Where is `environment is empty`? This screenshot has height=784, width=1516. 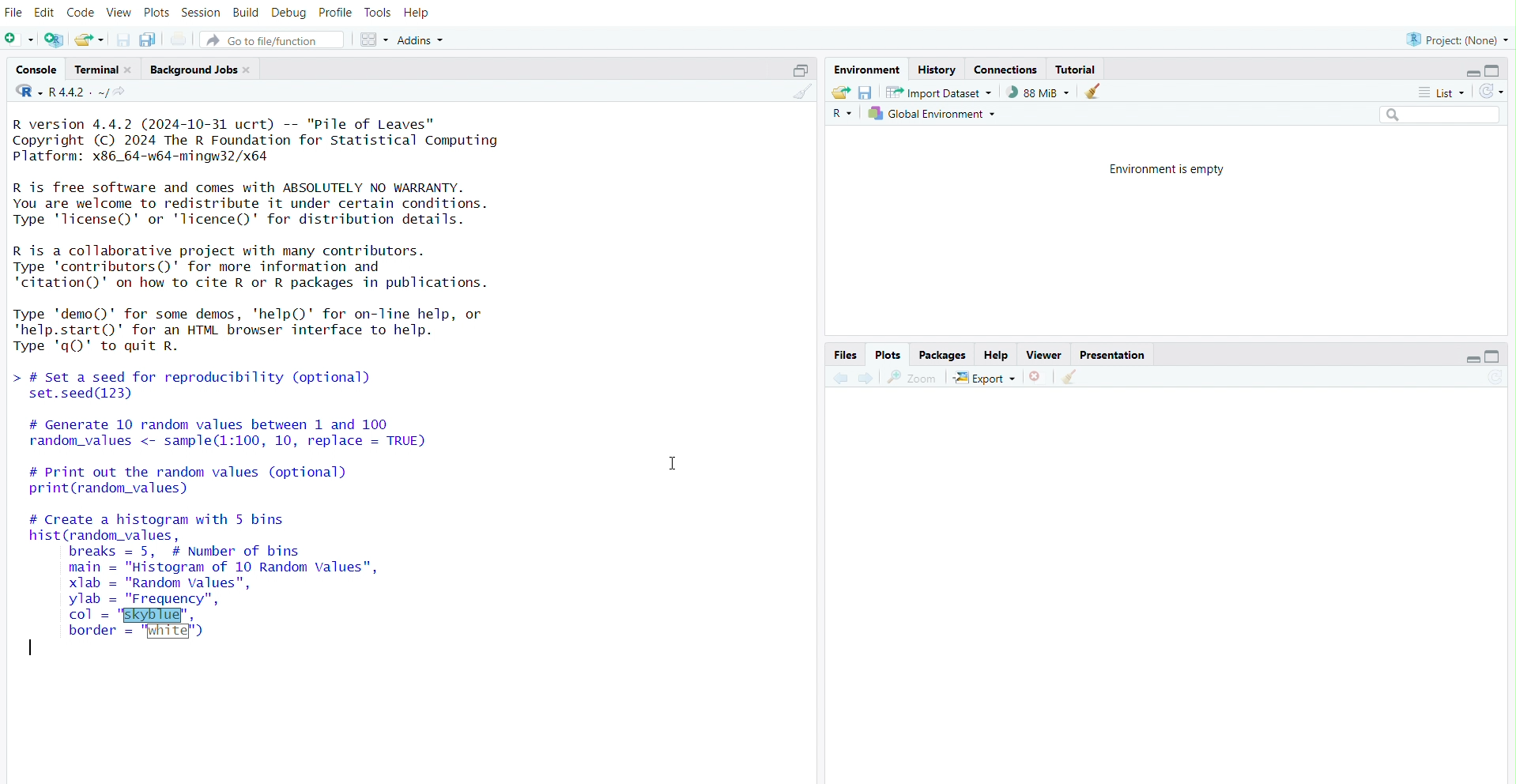 environment is empty is located at coordinates (1162, 169).